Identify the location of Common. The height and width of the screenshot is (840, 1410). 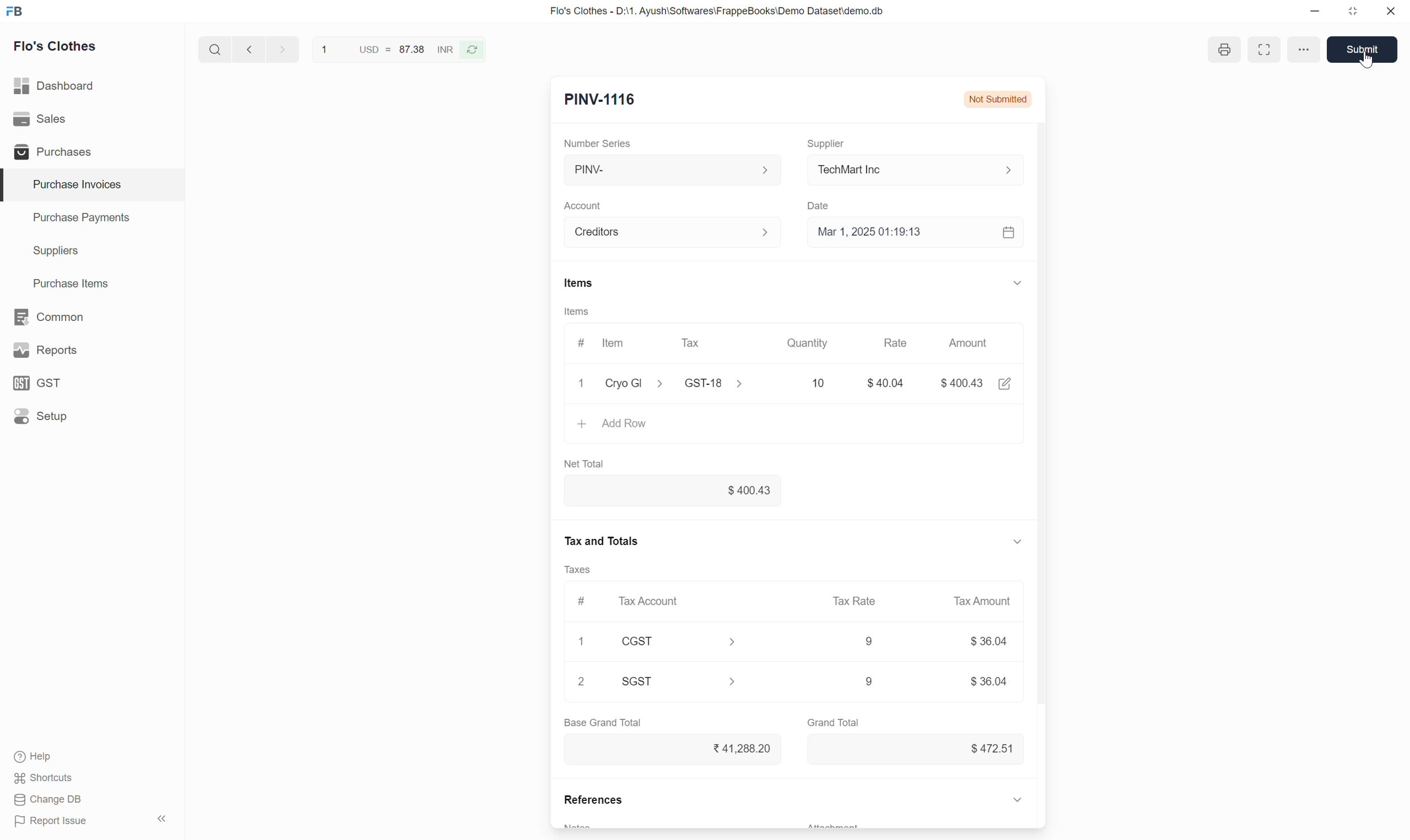
(50, 316).